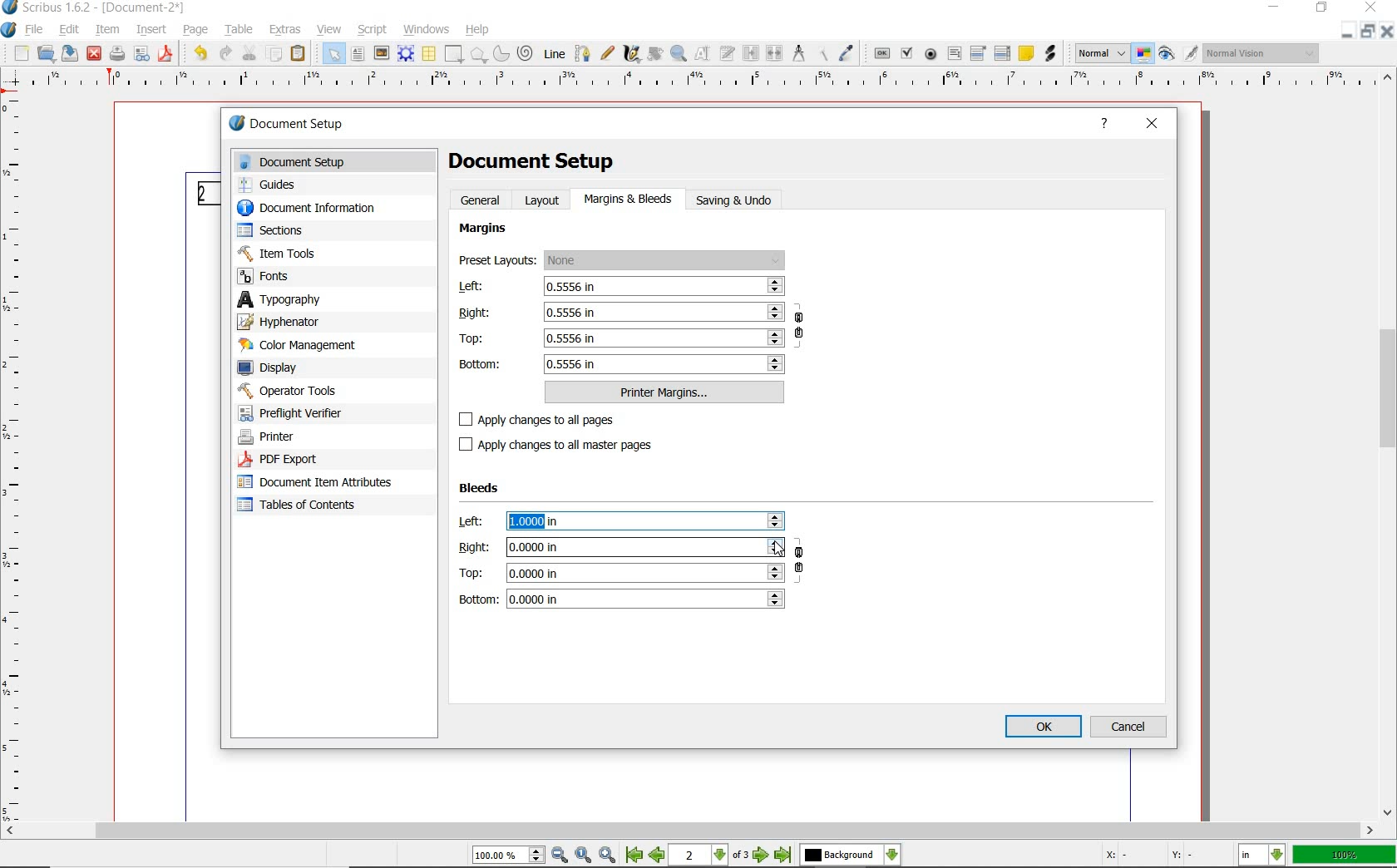 The height and width of the screenshot is (868, 1397). Describe the element at coordinates (704, 54) in the screenshot. I see `edit contents of frame` at that location.